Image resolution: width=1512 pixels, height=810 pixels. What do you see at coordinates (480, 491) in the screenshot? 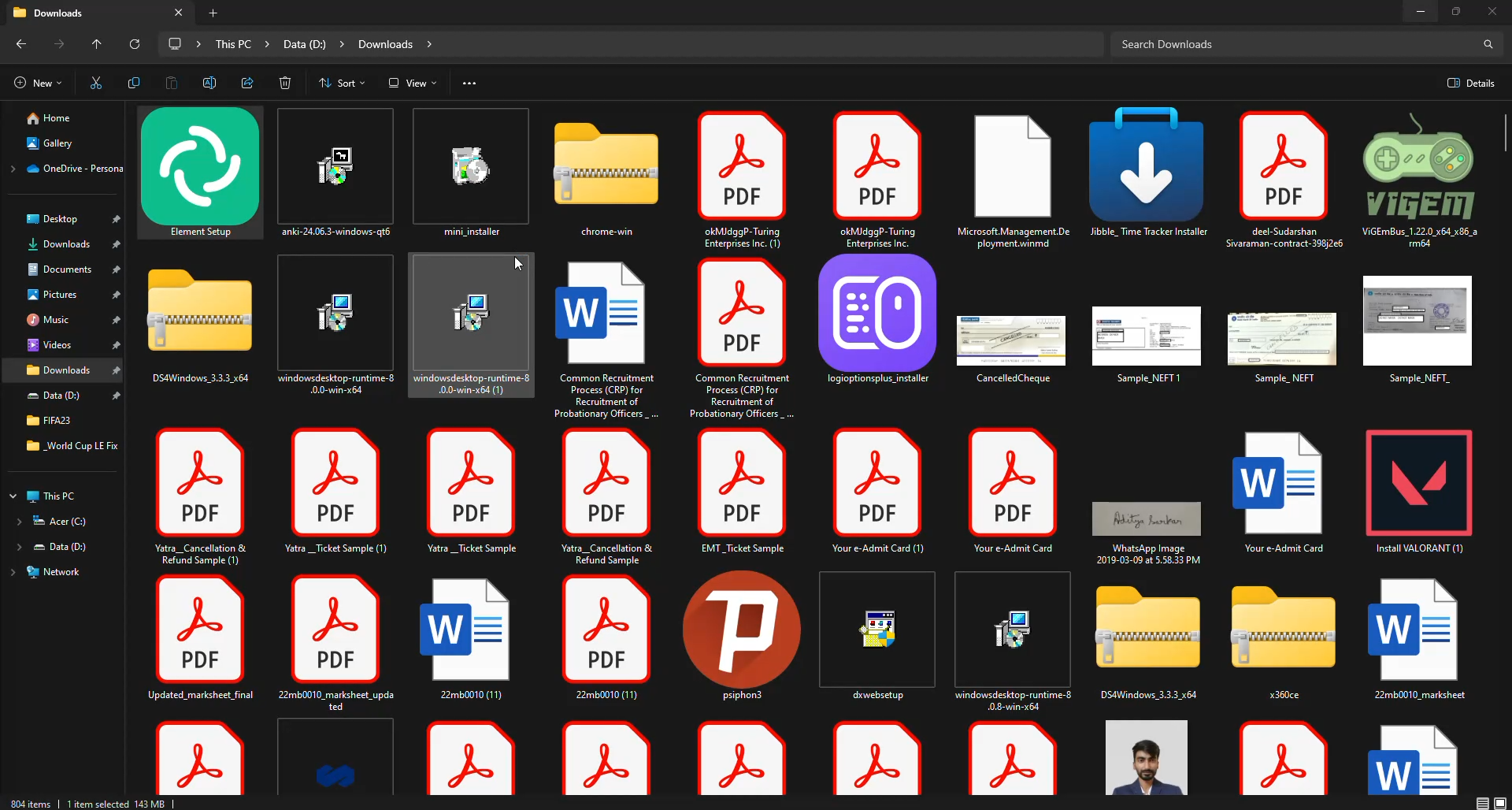
I see `file` at bounding box center [480, 491].